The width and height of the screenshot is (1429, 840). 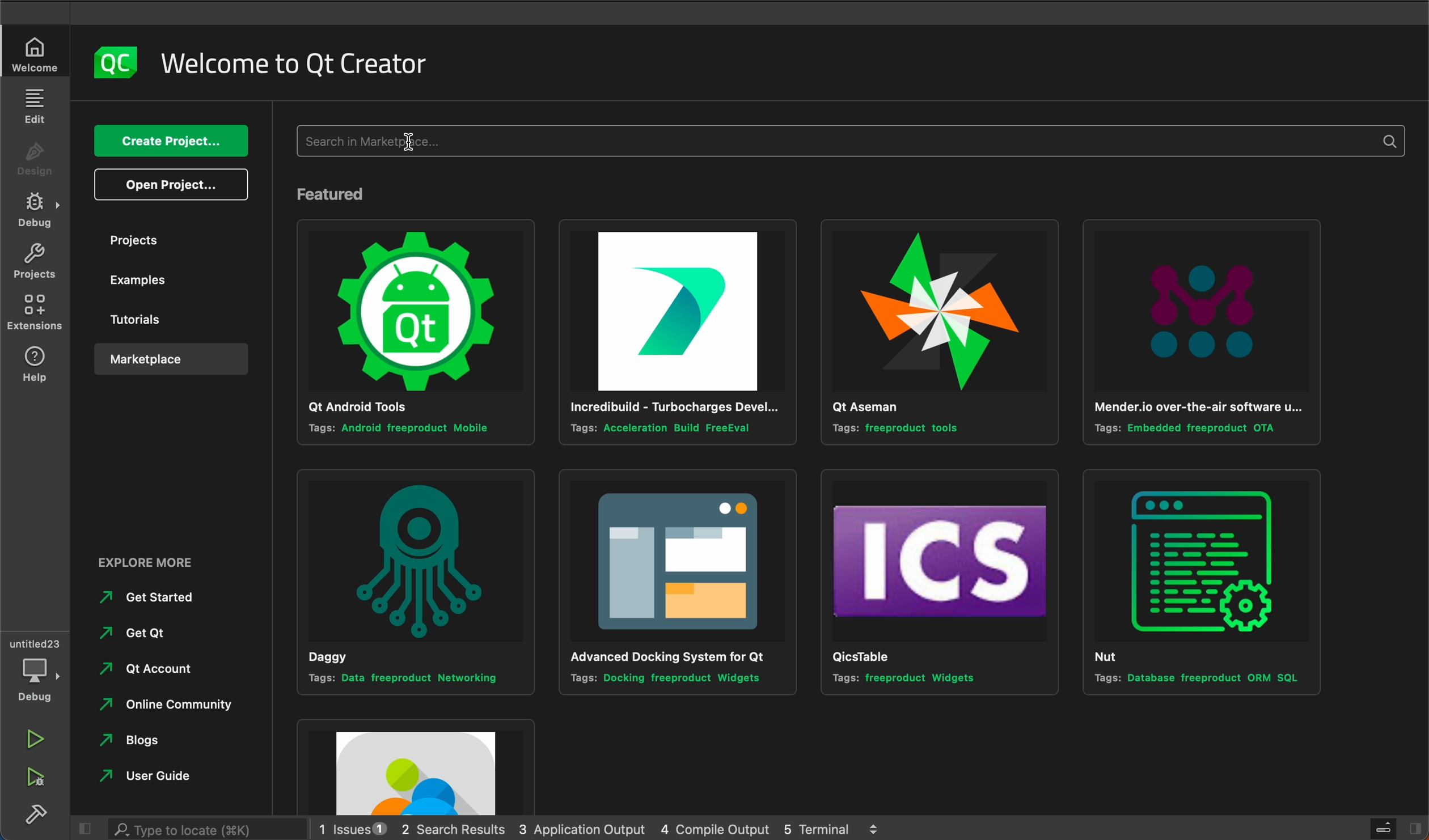 What do you see at coordinates (152, 562) in the screenshot?
I see `` at bounding box center [152, 562].